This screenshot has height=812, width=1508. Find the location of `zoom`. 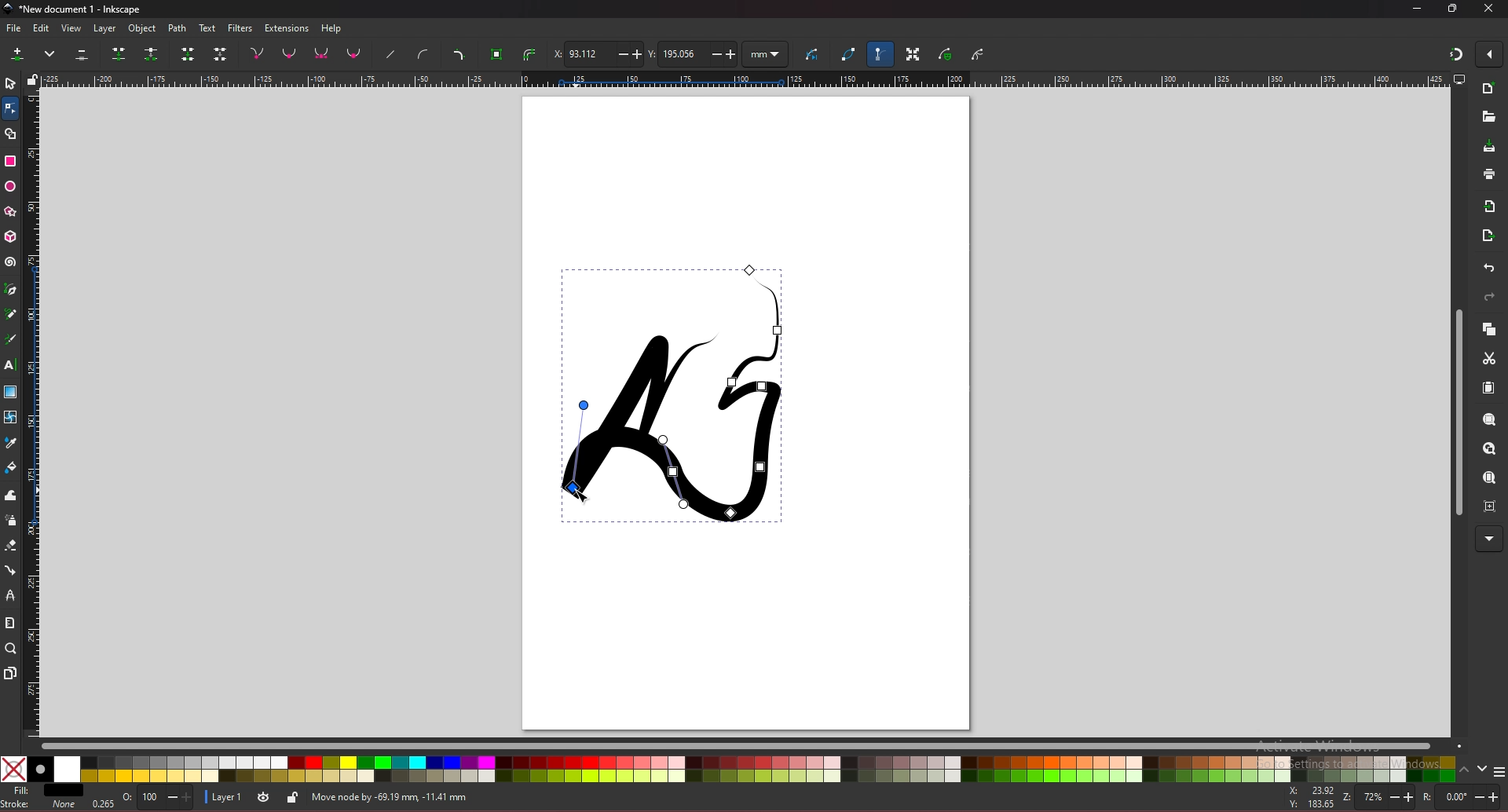

zoom is located at coordinates (10, 649).